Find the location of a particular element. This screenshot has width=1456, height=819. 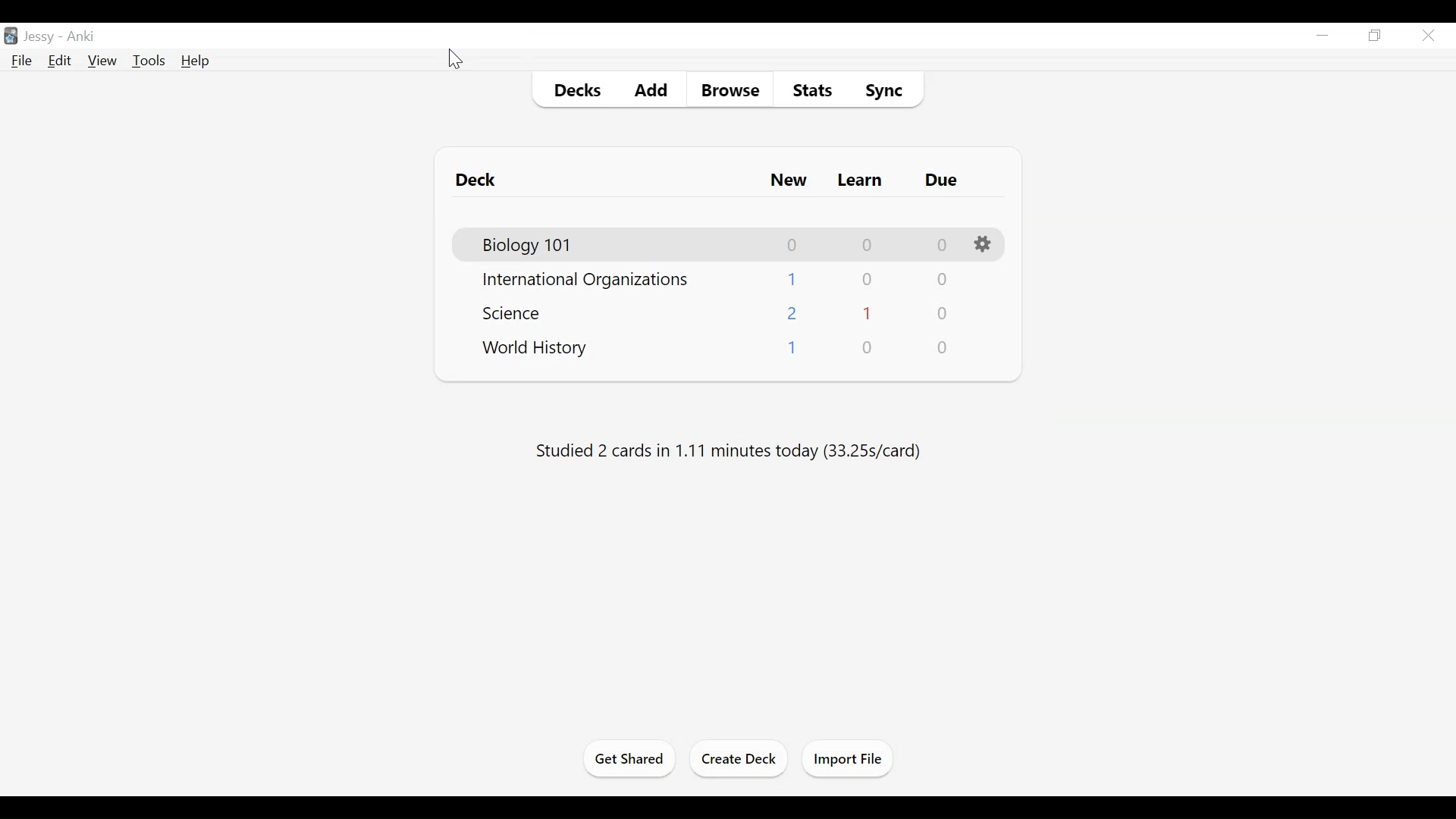

Deck Name is located at coordinates (516, 314).